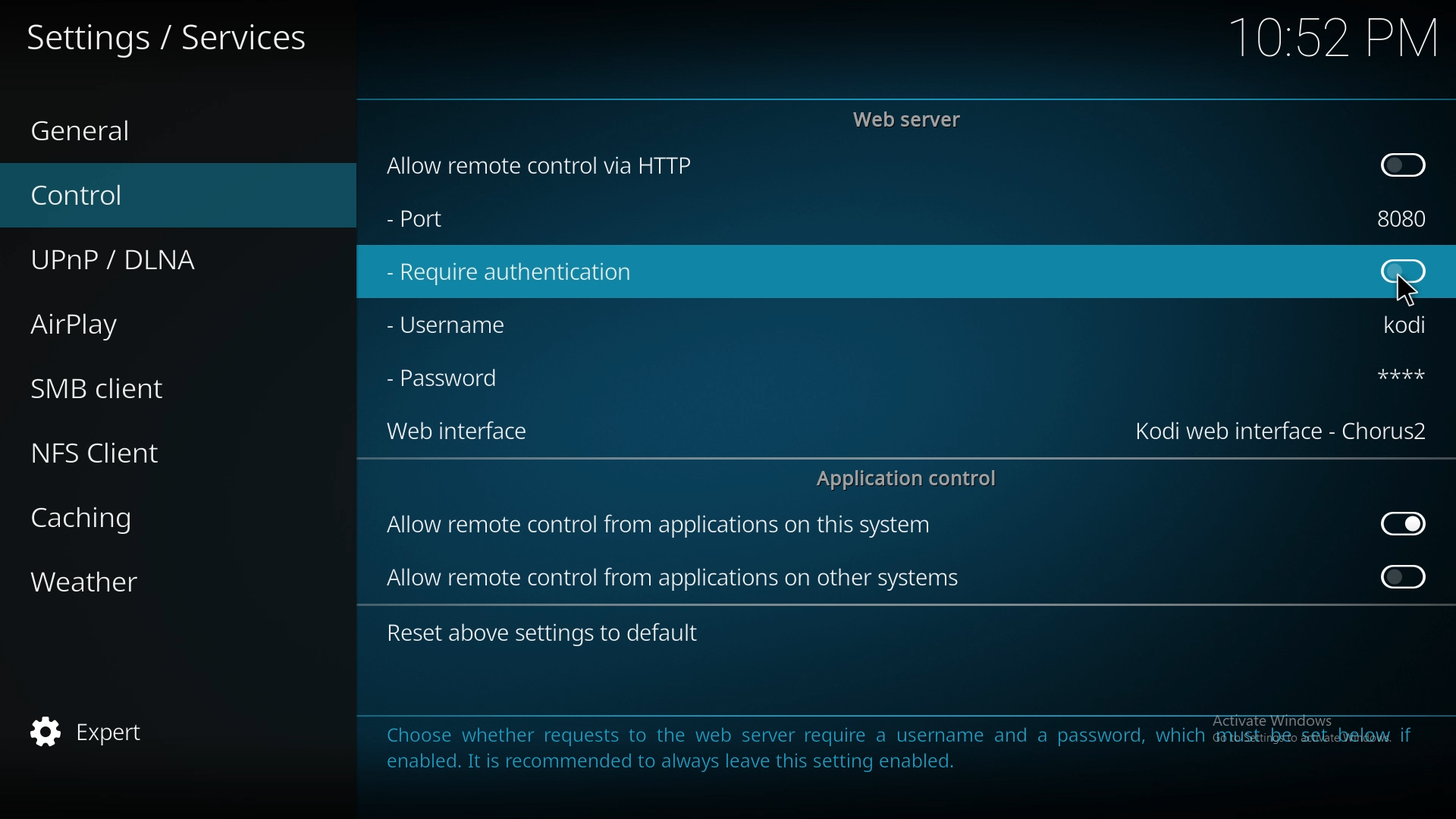 This screenshot has width=1456, height=819. Describe the element at coordinates (158, 580) in the screenshot. I see `weather` at that location.